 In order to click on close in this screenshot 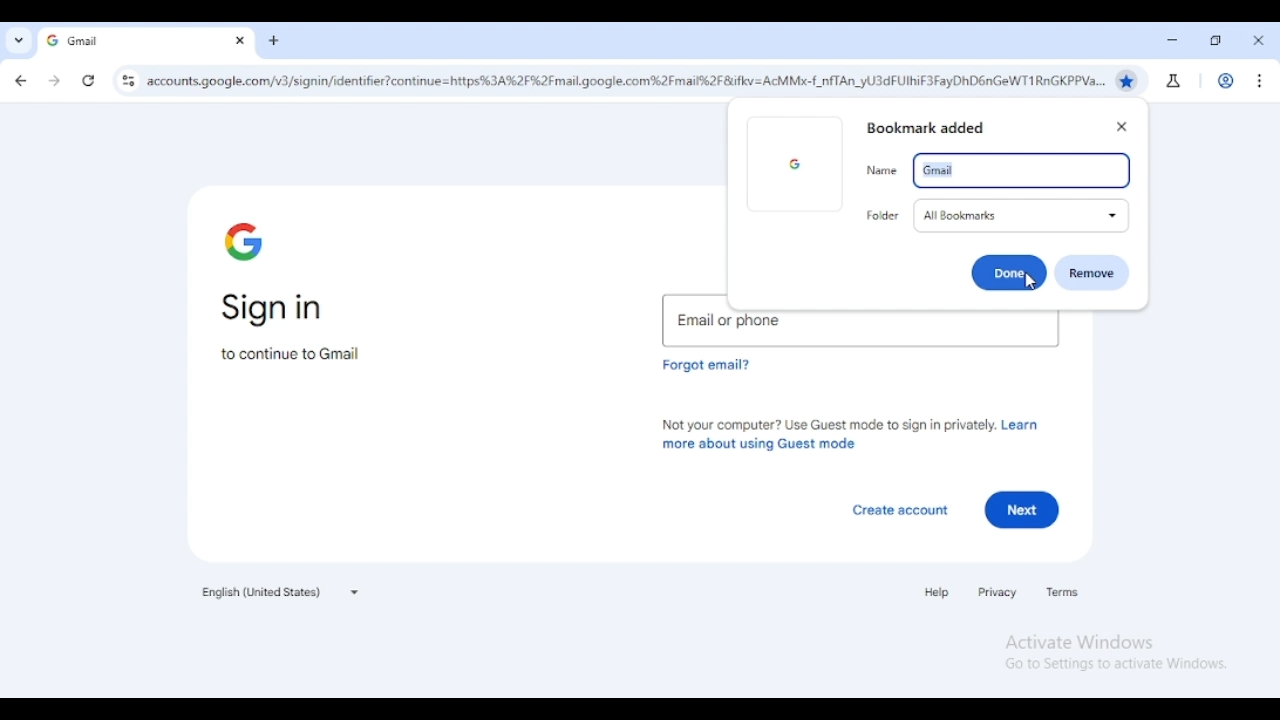, I will do `click(1258, 40)`.